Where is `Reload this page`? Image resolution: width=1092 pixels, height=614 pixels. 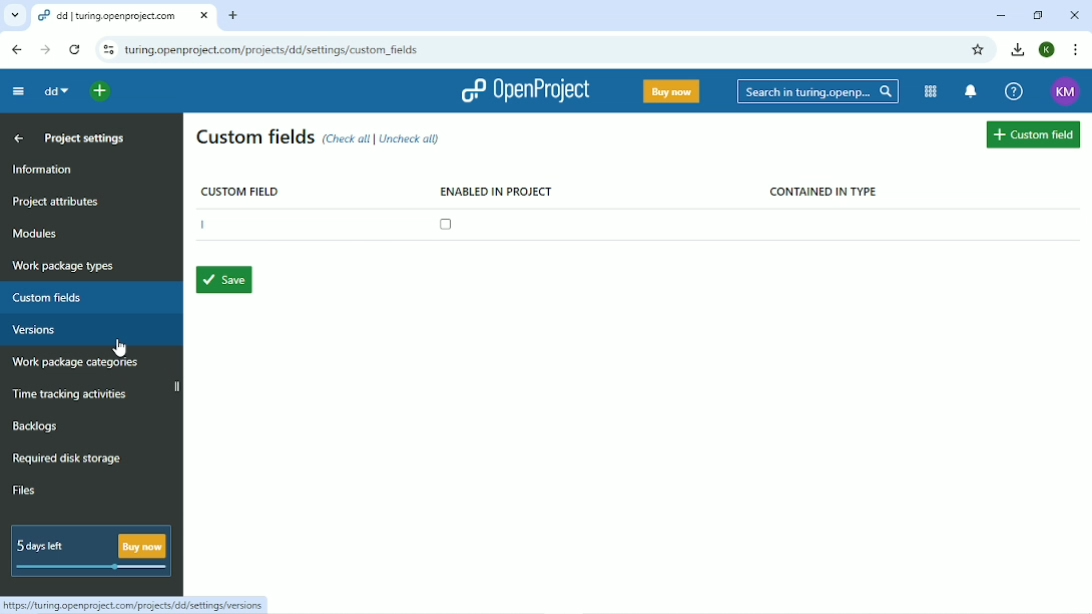
Reload this page is located at coordinates (74, 50).